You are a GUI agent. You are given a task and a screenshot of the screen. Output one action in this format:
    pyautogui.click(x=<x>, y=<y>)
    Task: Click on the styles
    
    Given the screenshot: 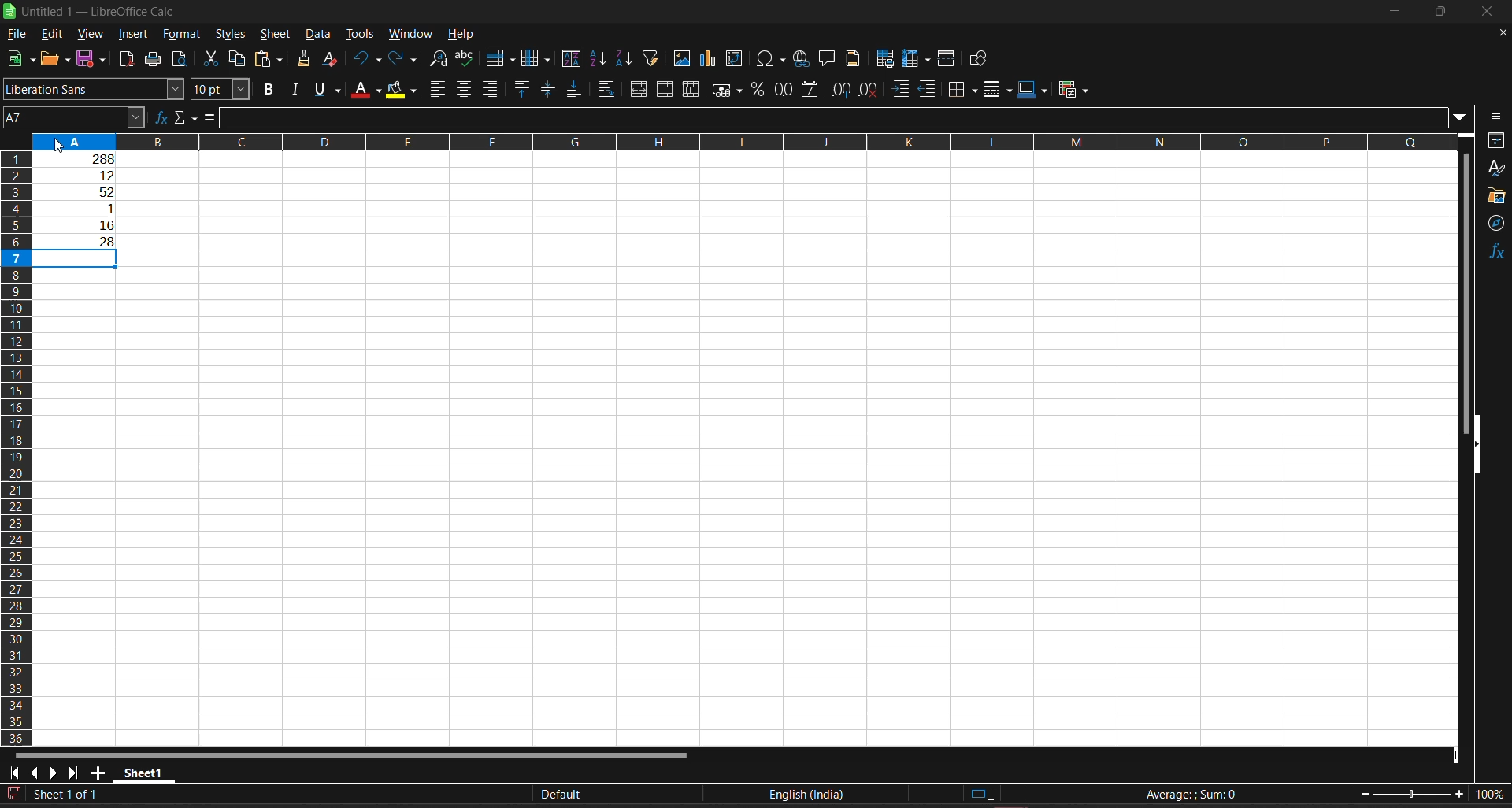 What is the action you would take?
    pyautogui.click(x=1497, y=169)
    